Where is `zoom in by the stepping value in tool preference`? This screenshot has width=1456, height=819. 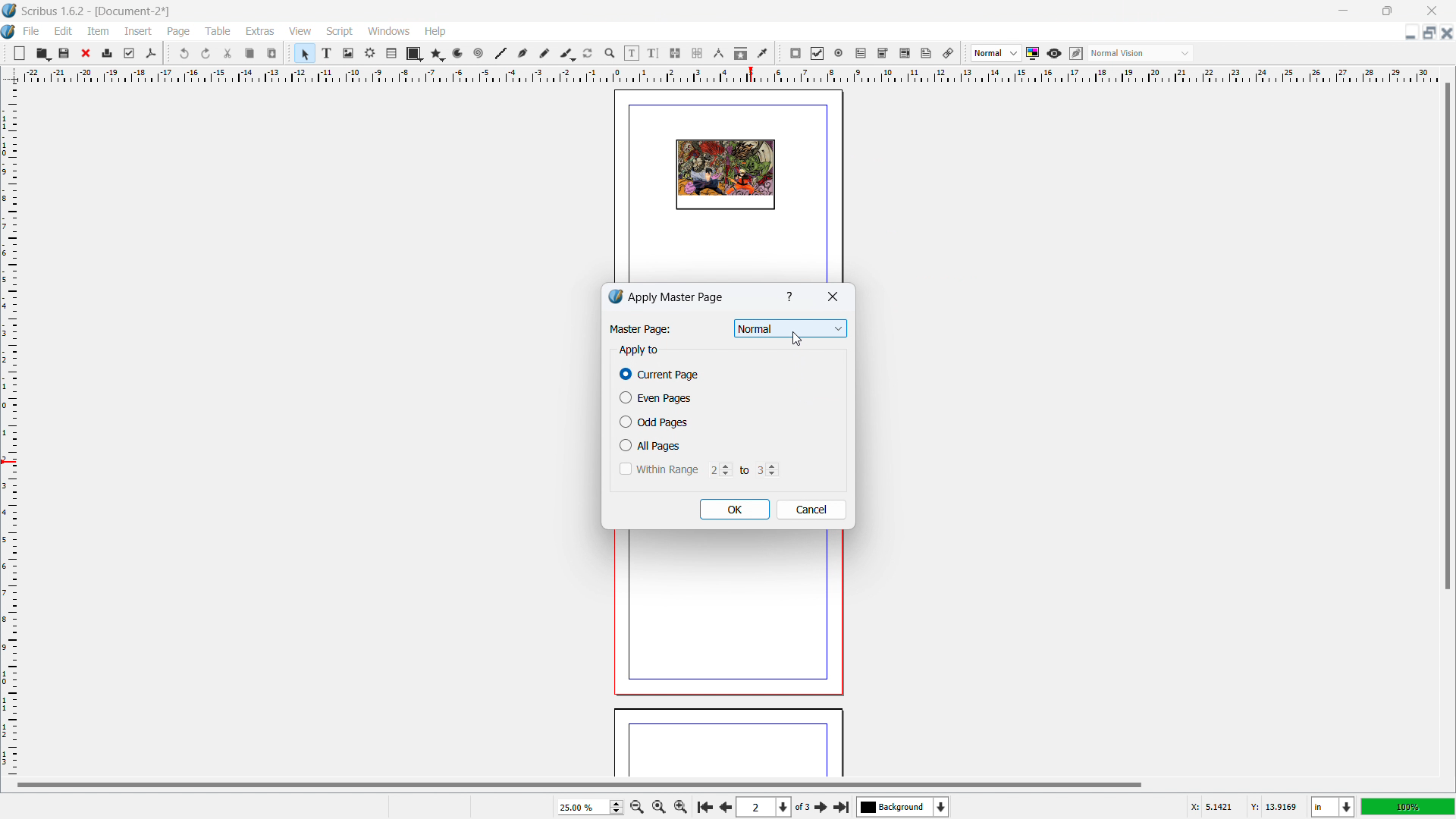 zoom in by the stepping value in tool preference is located at coordinates (681, 805).